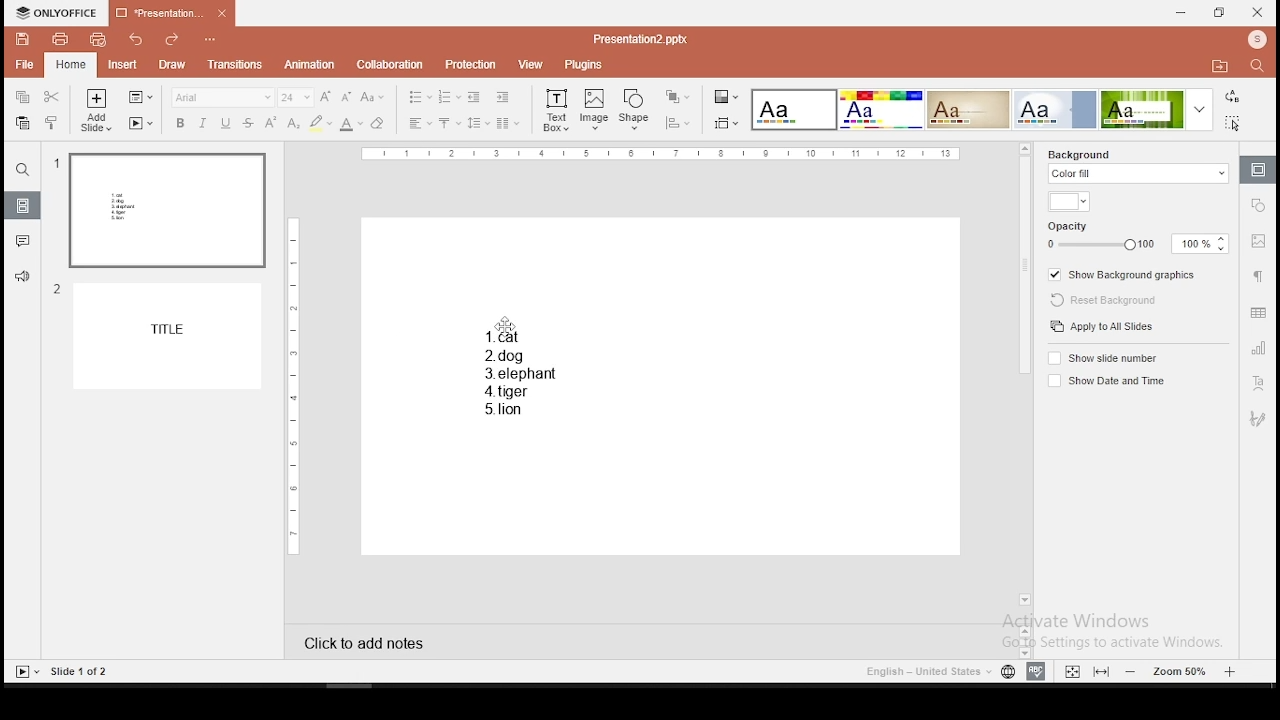  Describe the element at coordinates (1135, 238) in the screenshot. I see `opacity` at that location.